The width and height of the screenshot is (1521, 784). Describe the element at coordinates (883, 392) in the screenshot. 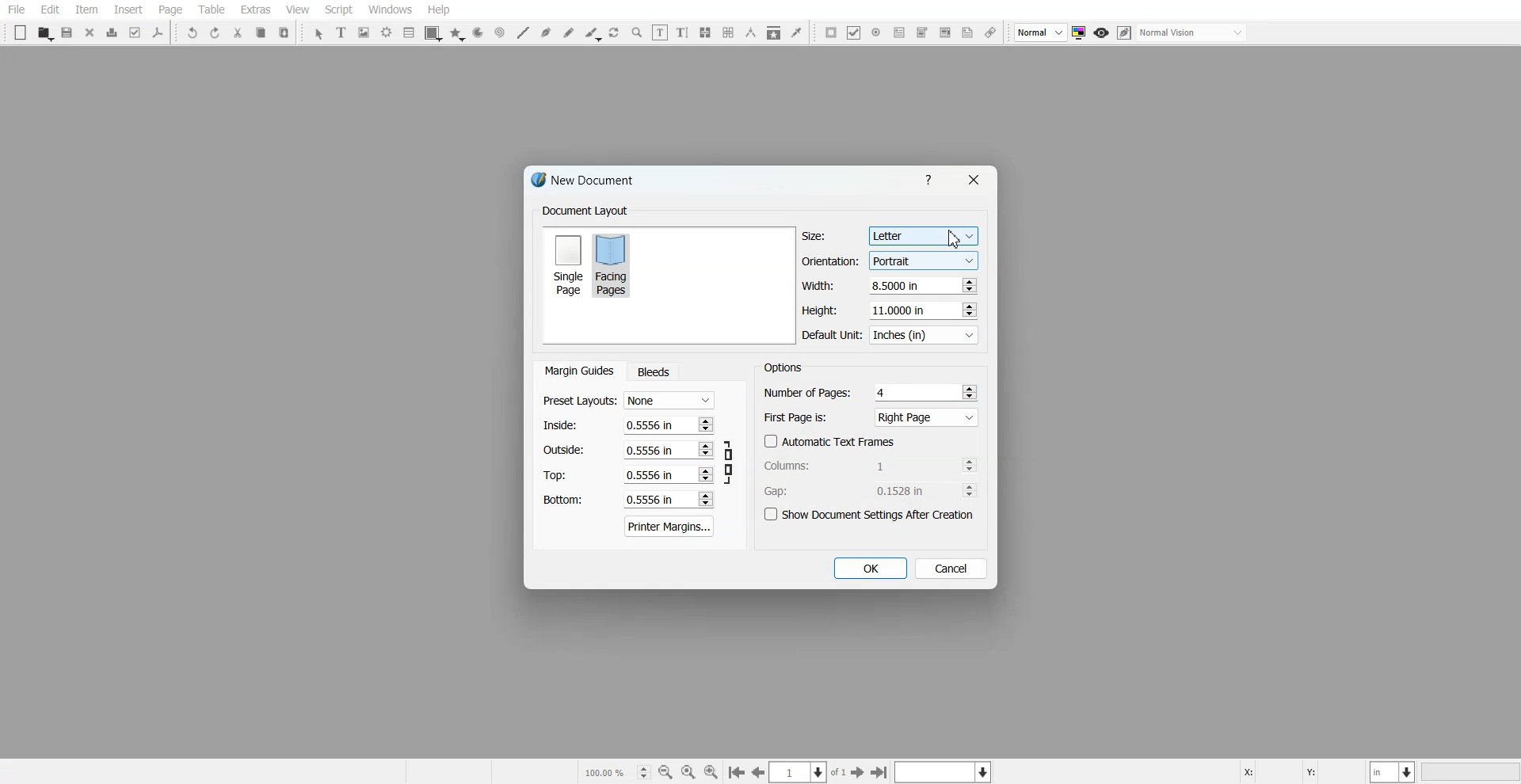

I see `4` at that location.